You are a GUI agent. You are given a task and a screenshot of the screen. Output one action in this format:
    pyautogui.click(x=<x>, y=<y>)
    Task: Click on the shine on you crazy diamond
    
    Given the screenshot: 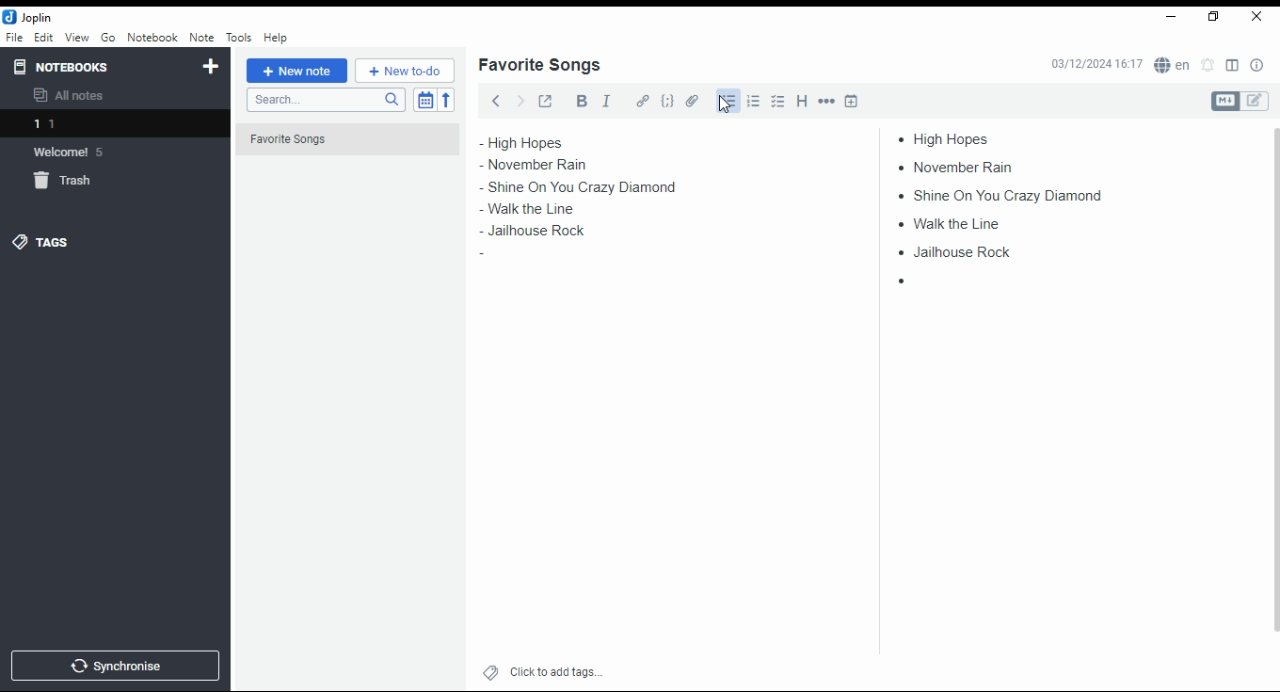 What is the action you would take?
    pyautogui.click(x=993, y=194)
    